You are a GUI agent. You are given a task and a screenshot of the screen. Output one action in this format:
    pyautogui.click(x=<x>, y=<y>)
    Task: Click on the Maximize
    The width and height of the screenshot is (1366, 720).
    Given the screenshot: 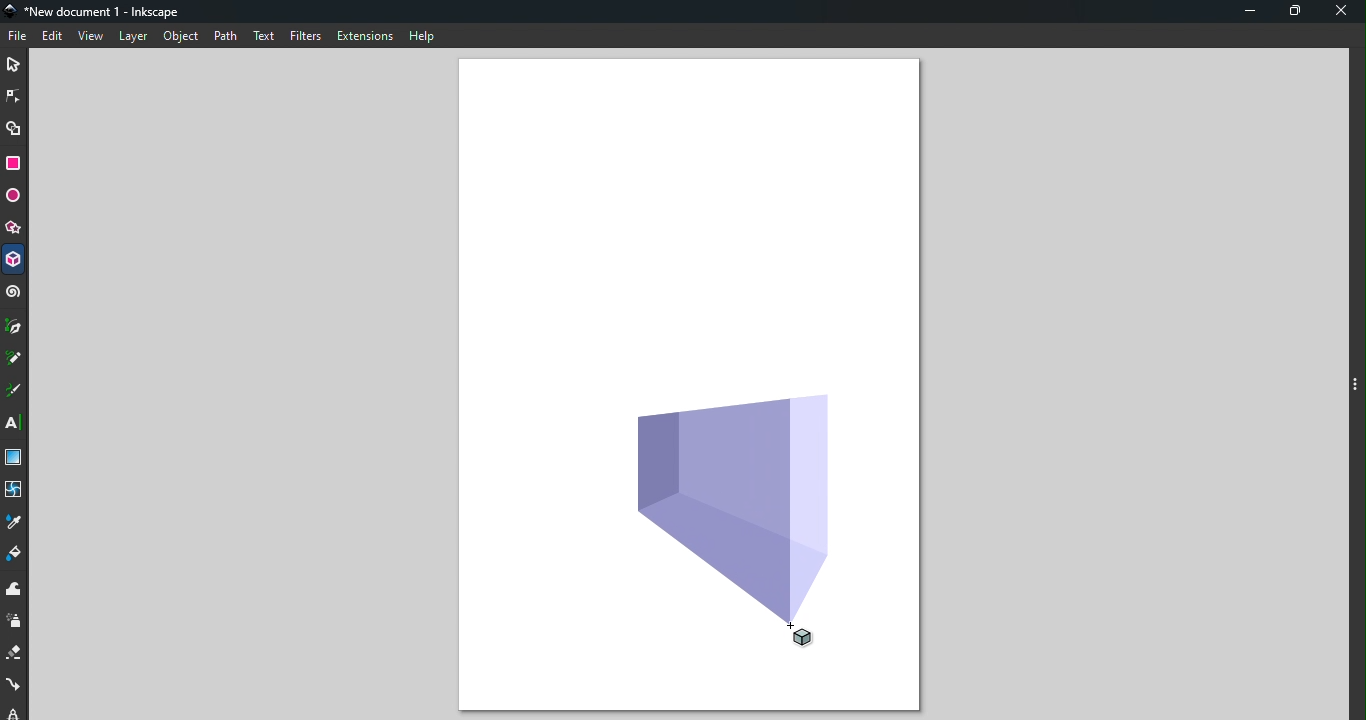 What is the action you would take?
    pyautogui.click(x=1295, y=14)
    